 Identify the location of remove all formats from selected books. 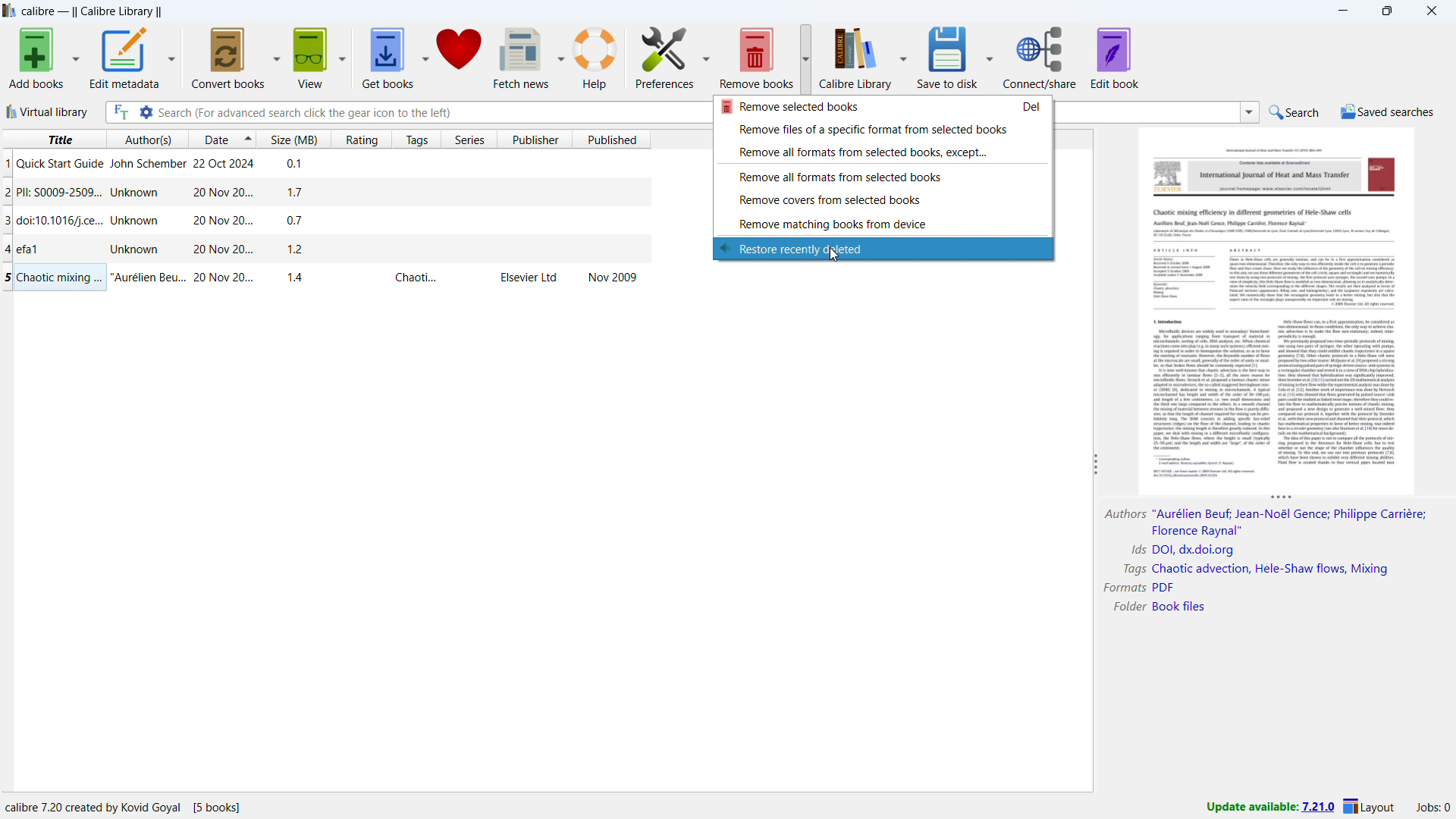
(882, 177).